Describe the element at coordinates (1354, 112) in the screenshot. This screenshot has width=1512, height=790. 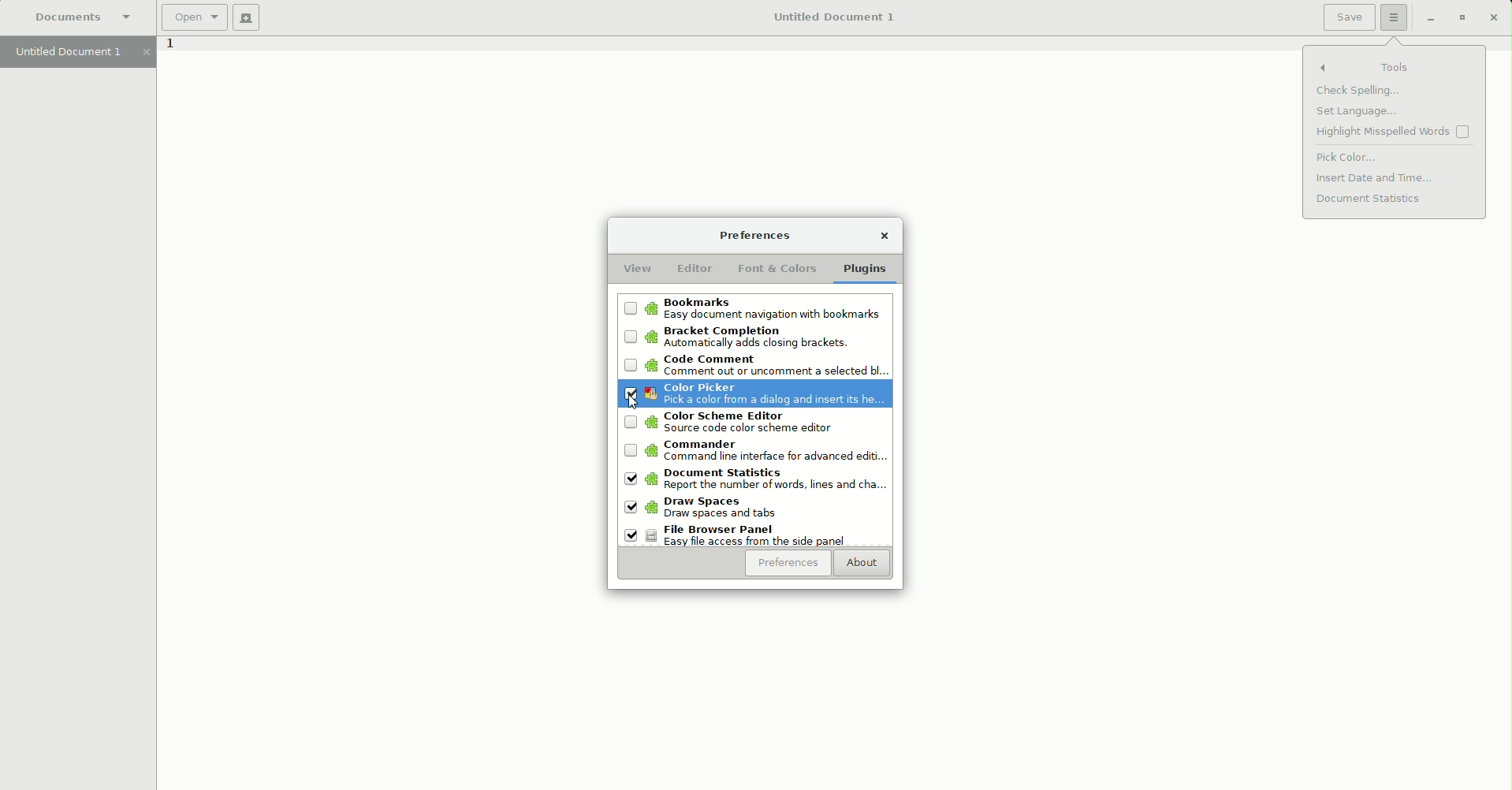
I see `Set language` at that location.